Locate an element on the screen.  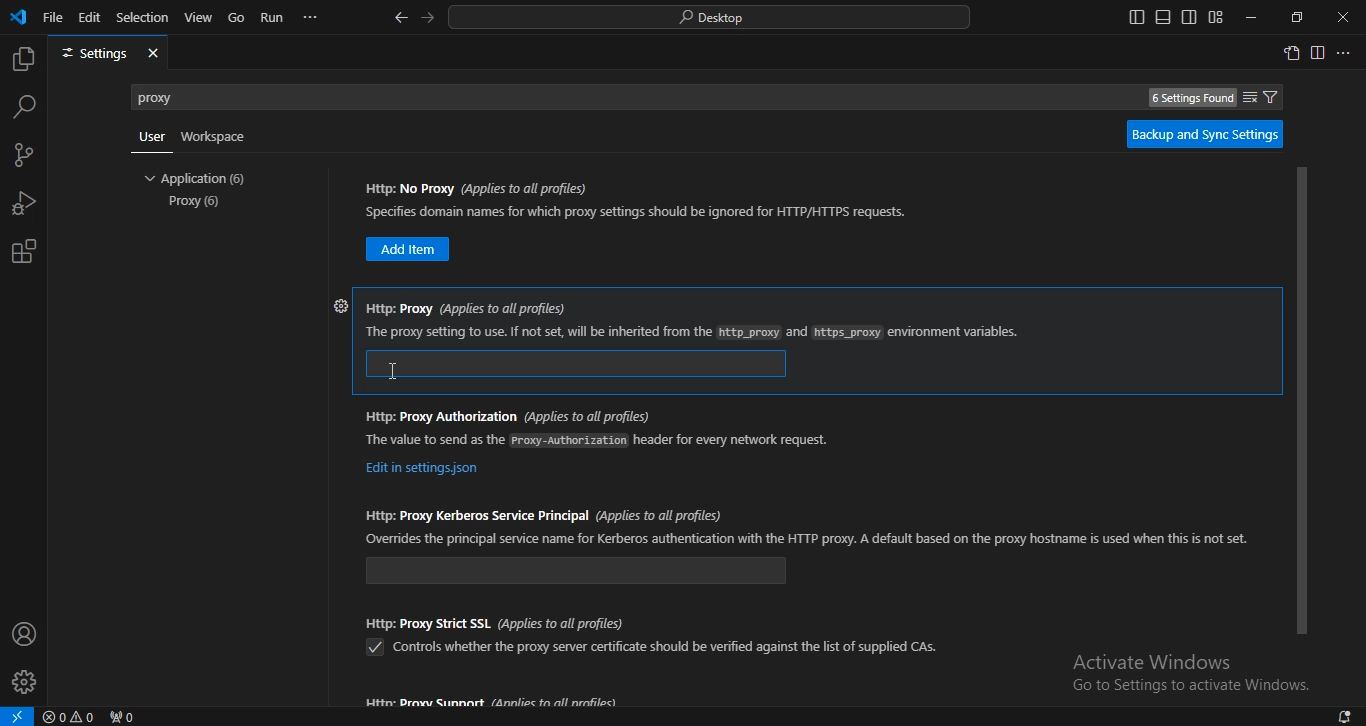
No problems is located at coordinates (71, 716).